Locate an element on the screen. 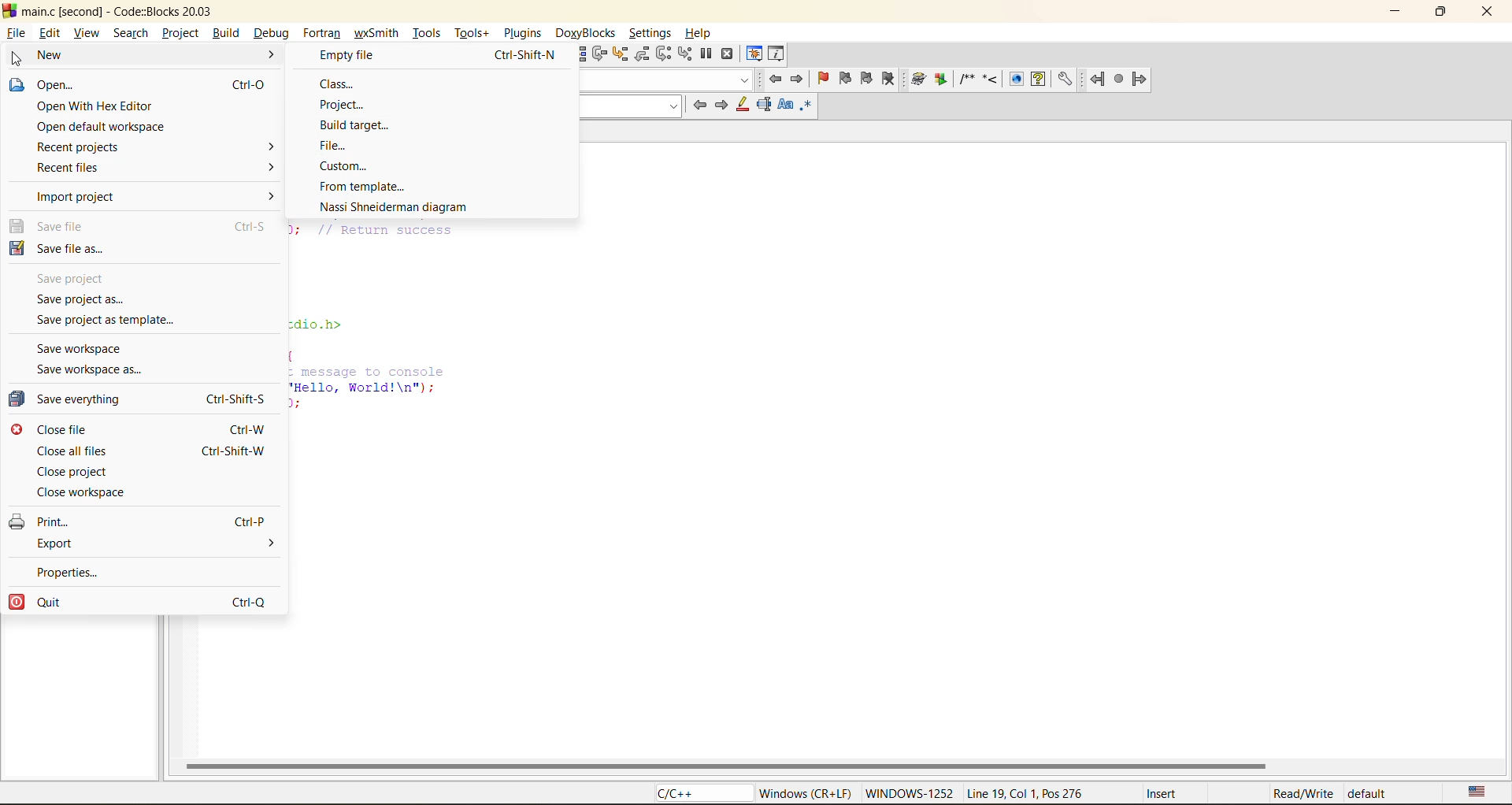  quit is located at coordinates (50, 603).